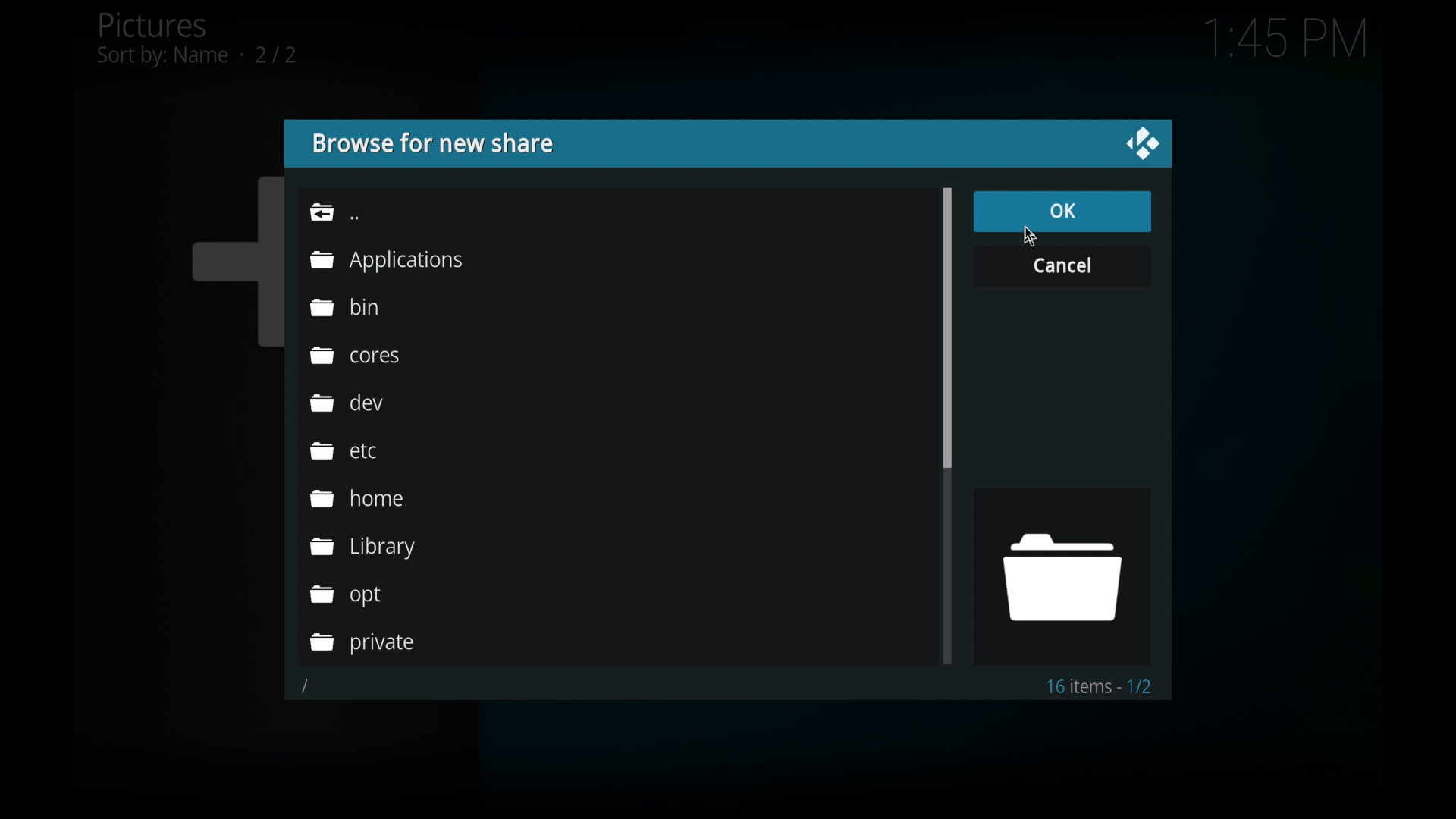 The width and height of the screenshot is (1456, 819). I want to click on cancel, so click(1063, 268).